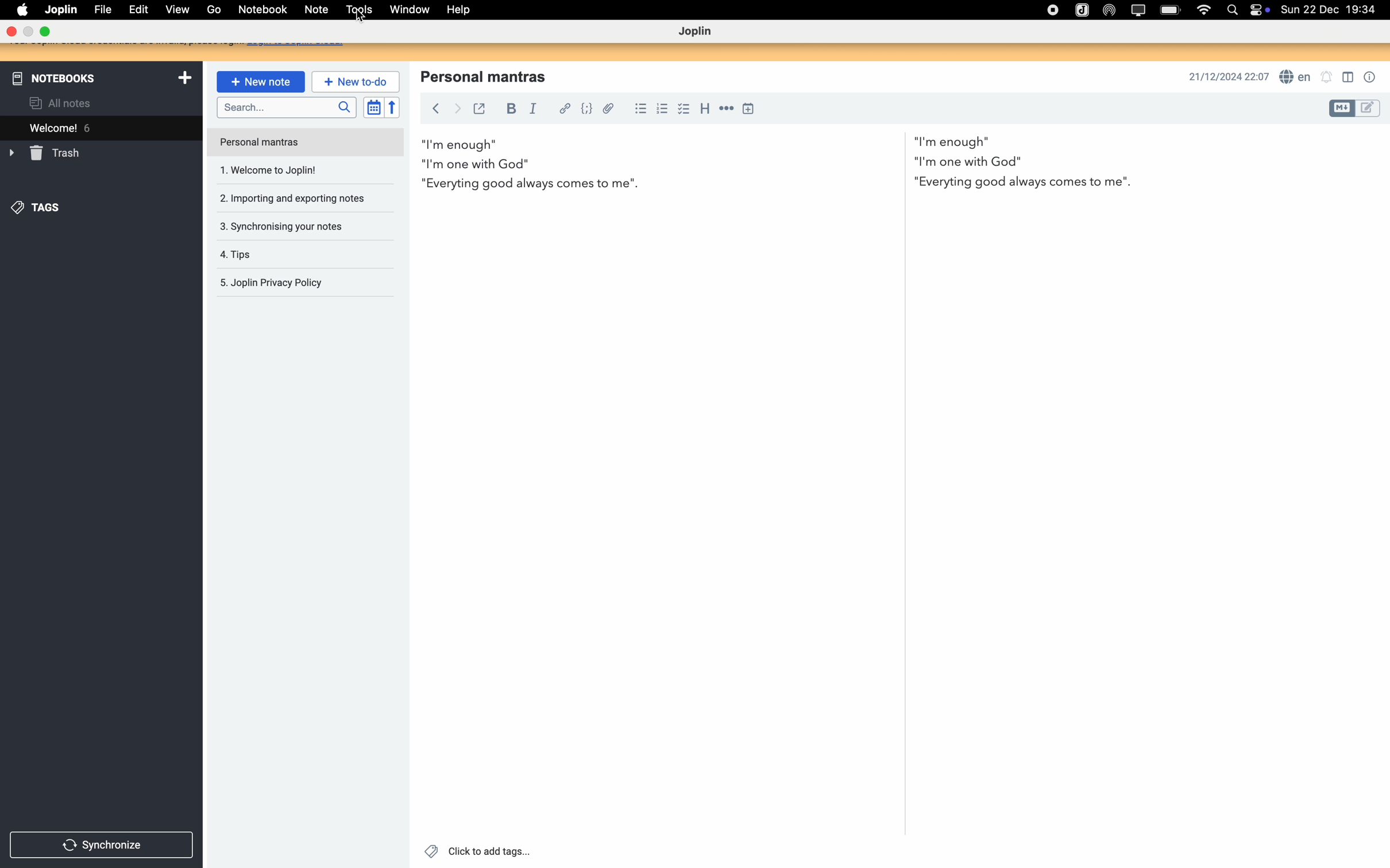  Describe the element at coordinates (404, 11) in the screenshot. I see `window` at that location.